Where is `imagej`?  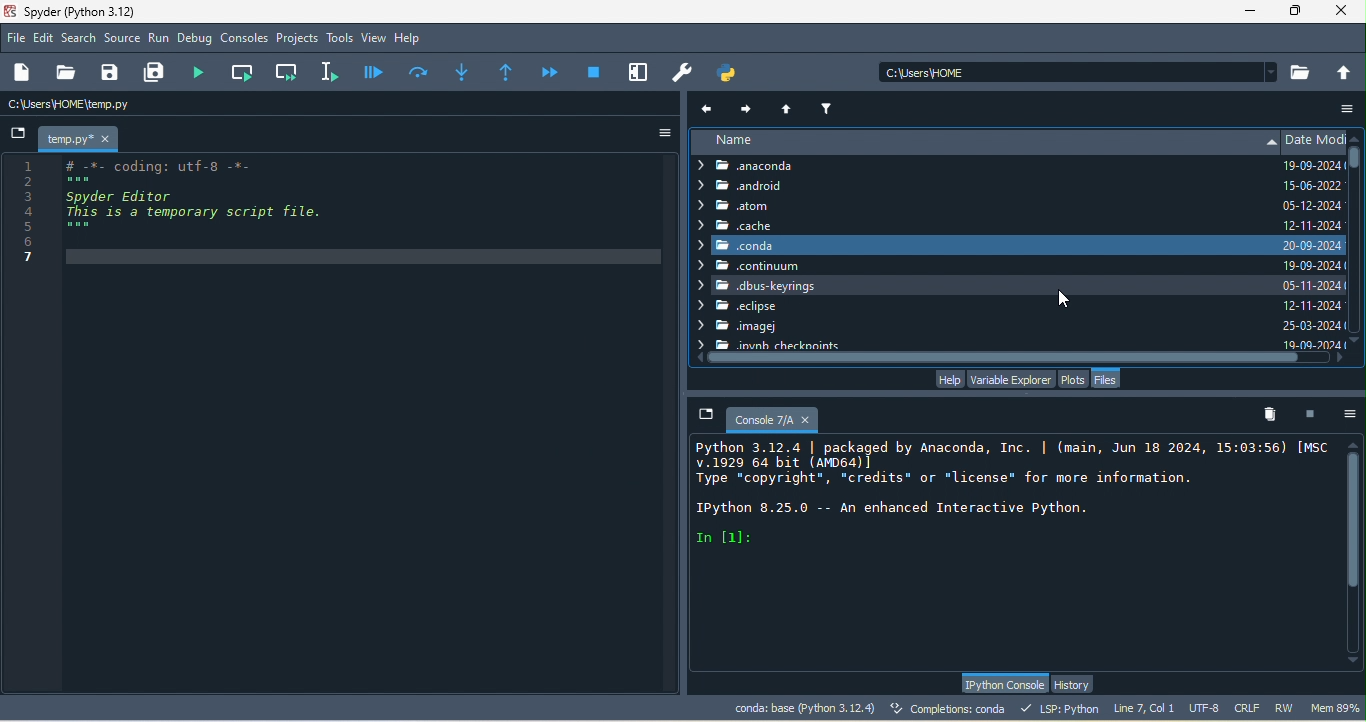
imagej is located at coordinates (753, 328).